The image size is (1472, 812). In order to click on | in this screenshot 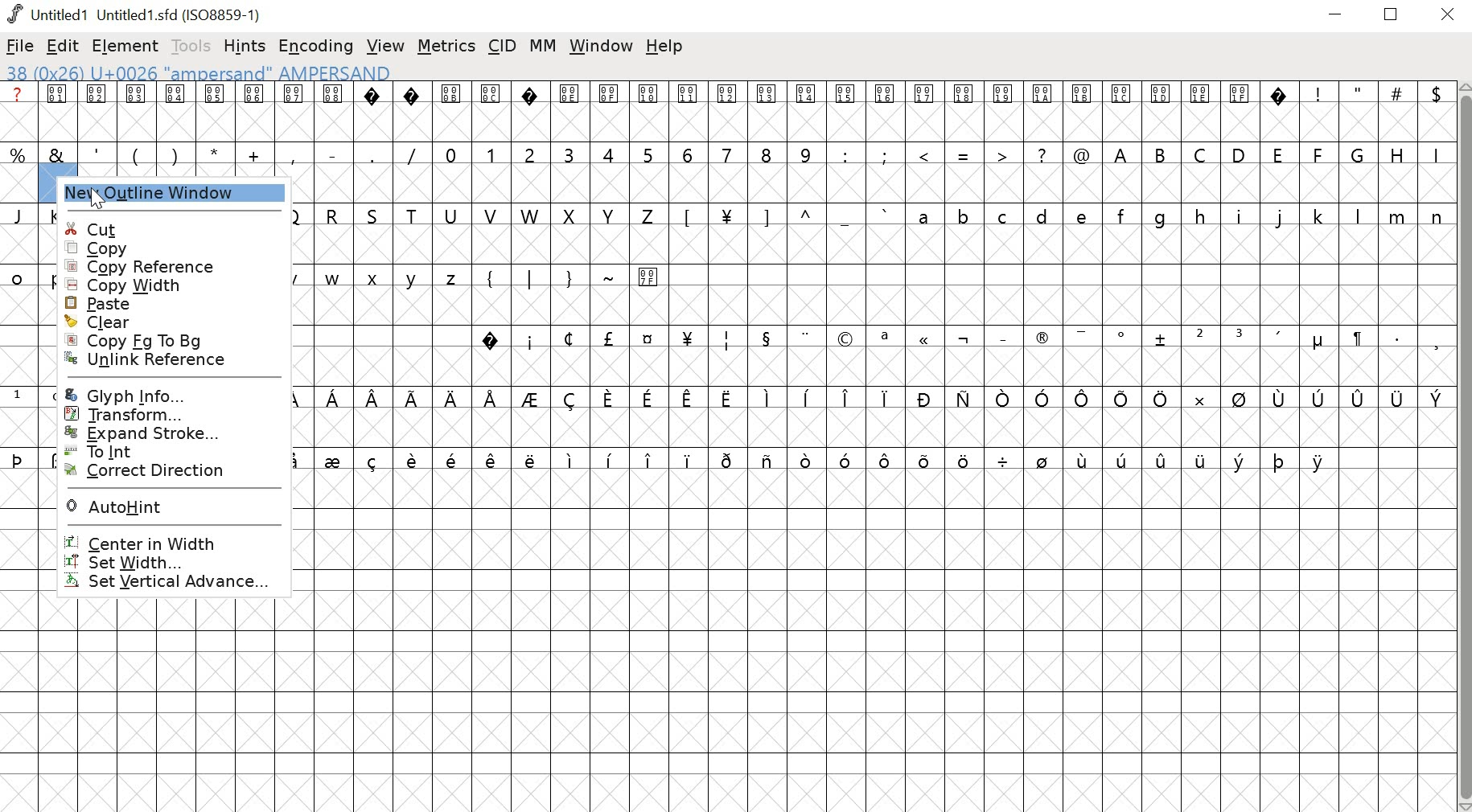, I will do `click(532, 277)`.